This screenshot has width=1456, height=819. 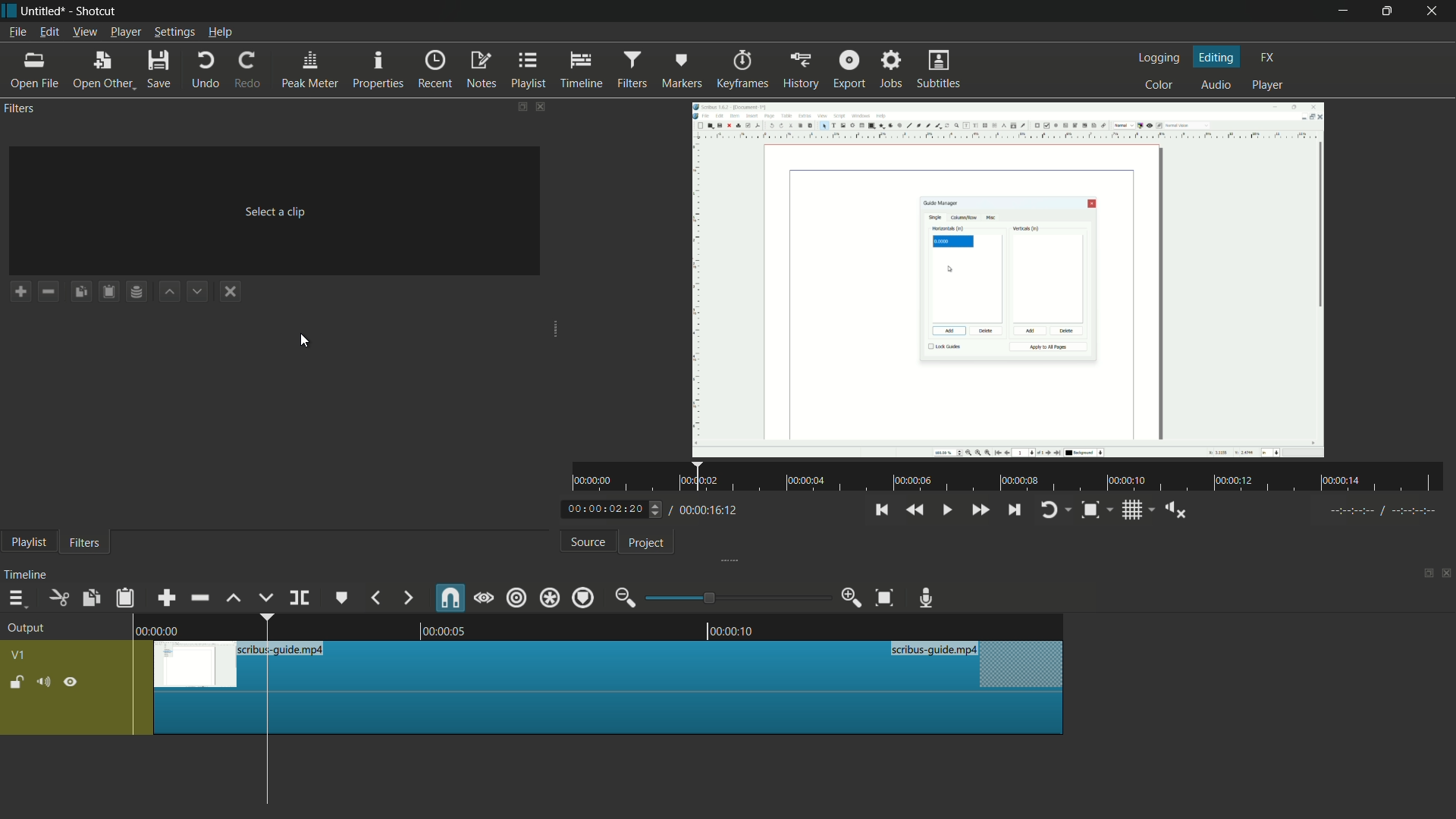 I want to click on imported file name, so click(x=276, y=133).